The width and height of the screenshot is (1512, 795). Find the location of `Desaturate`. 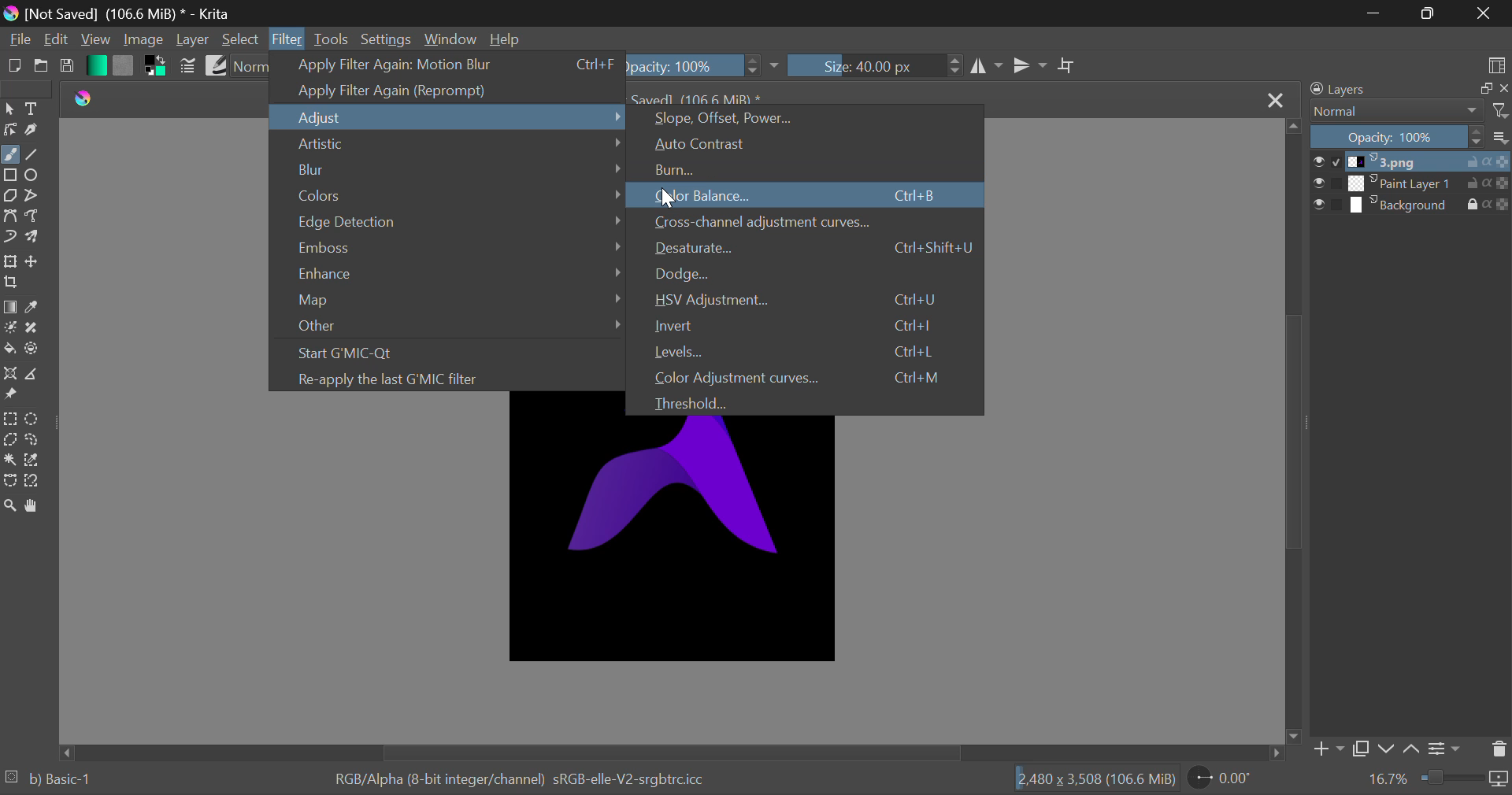

Desaturate is located at coordinates (812, 250).